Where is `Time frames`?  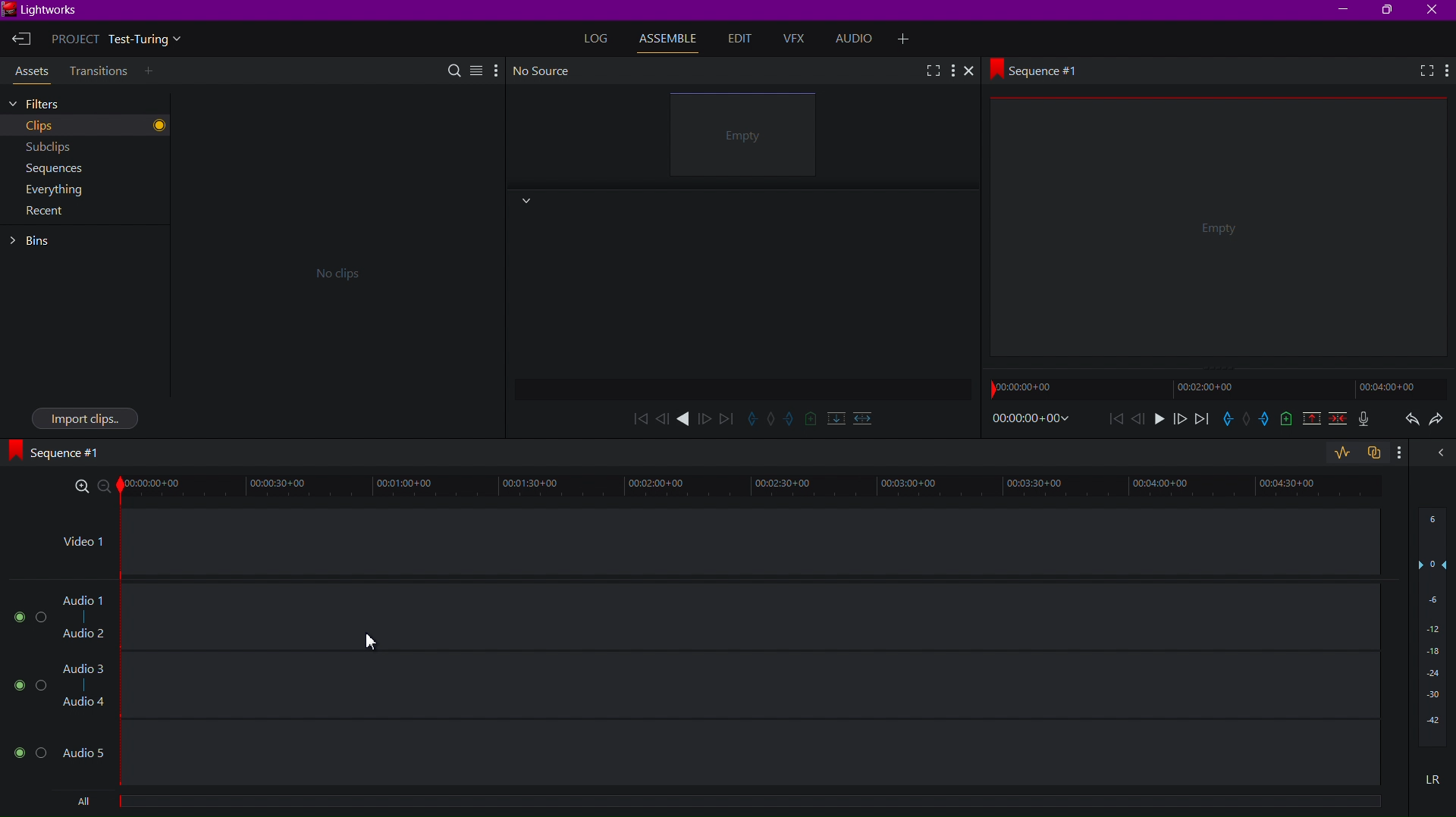 Time frames is located at coordinates (1209, 388).